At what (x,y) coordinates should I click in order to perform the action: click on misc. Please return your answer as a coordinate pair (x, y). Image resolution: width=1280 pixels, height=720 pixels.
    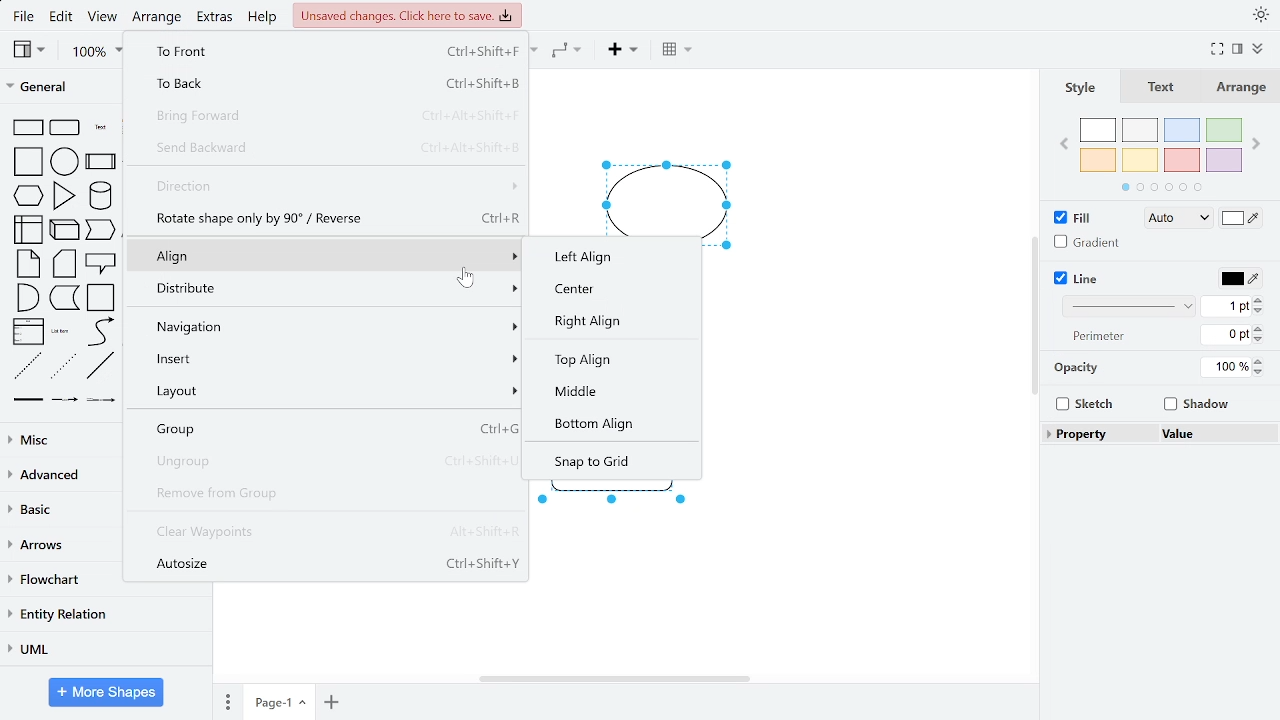
    Looking at the image, I should click on (59, 440).